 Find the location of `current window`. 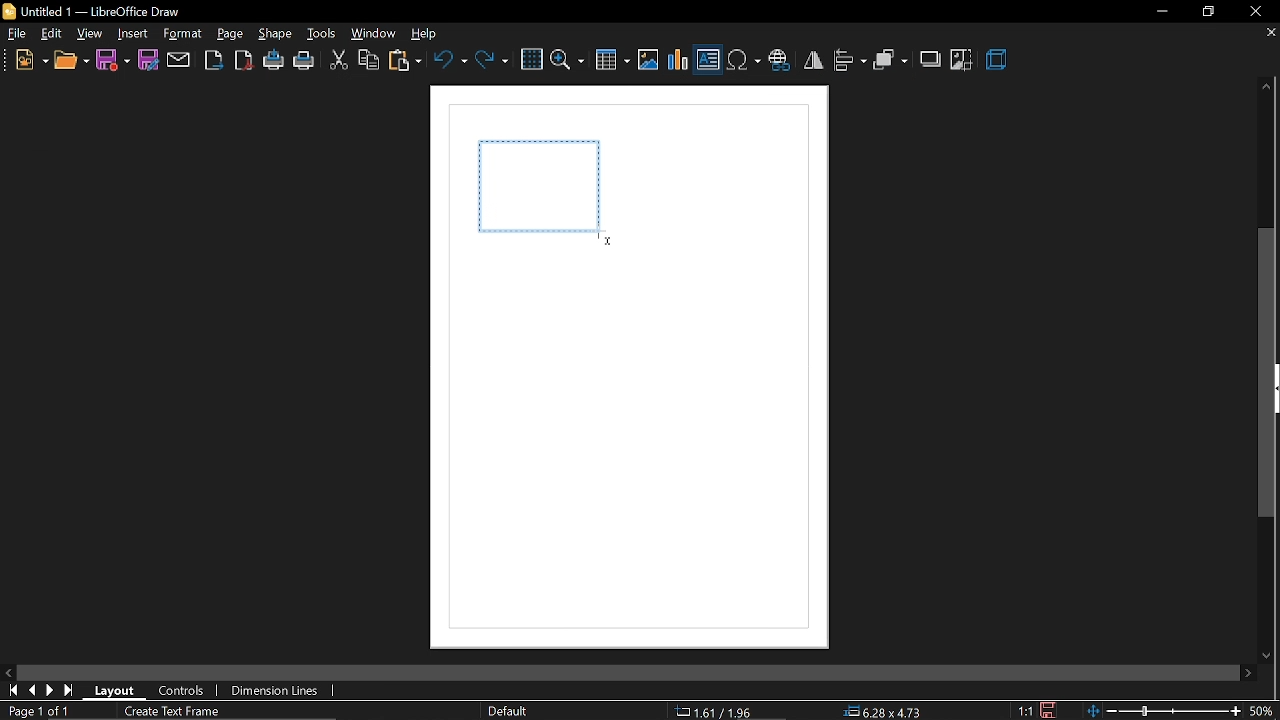

current window is located at coordinates (96, 11).